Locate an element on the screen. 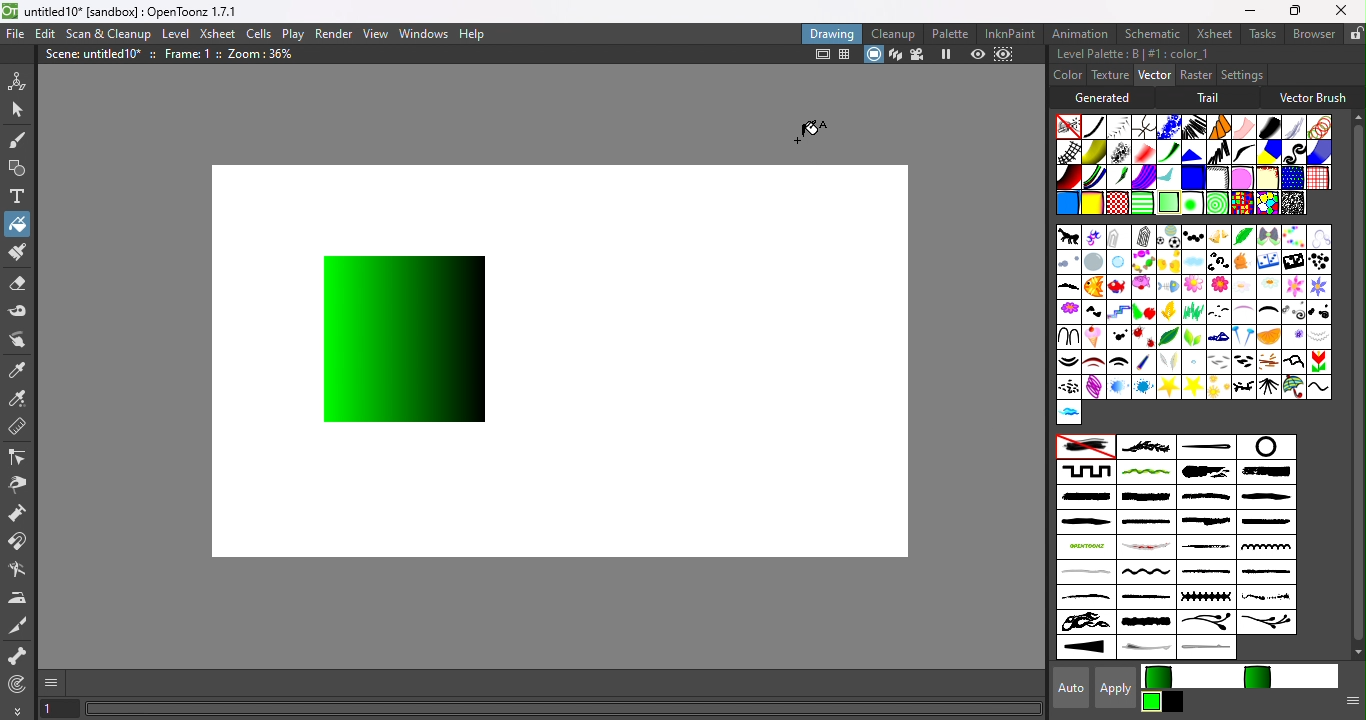 Image resolution: width=1366 pixels, height=720 pixels. Fuzz is located at coordinates (1294, 127).